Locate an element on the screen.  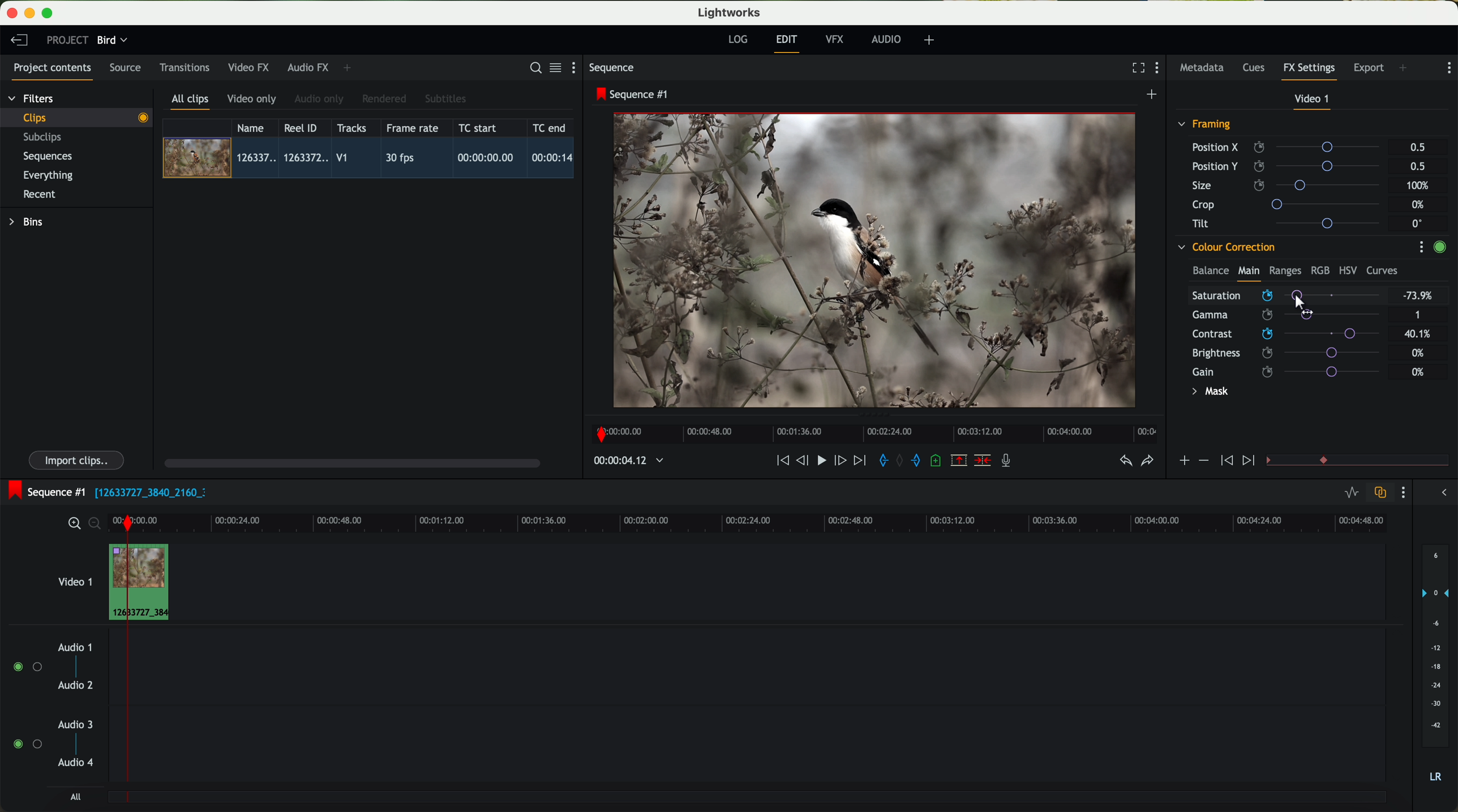
add, remove and create layouts is located at coordinates (931, 40).